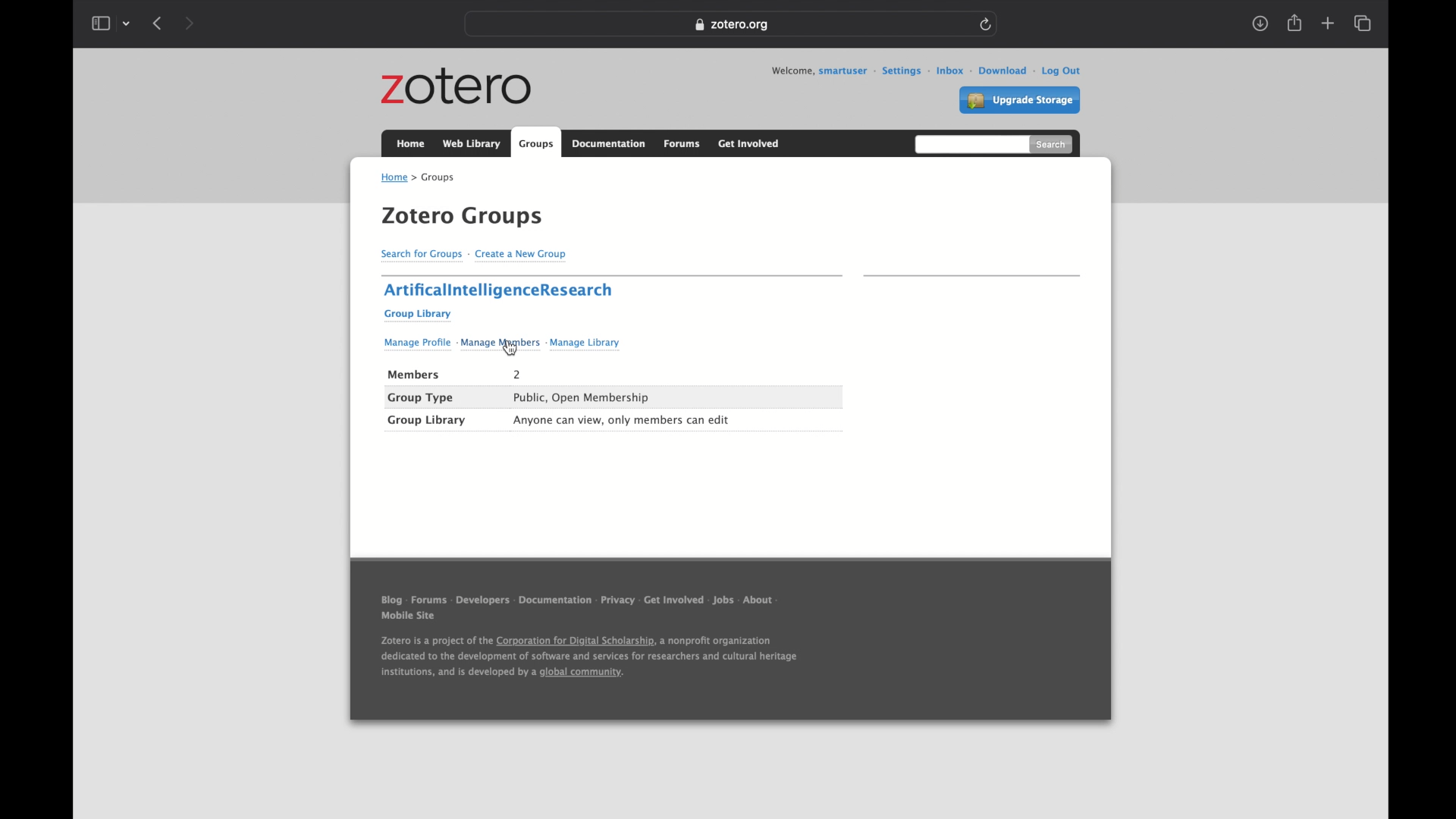  Describe the element at coordinates (1057, 71) in the screenshot. I see `log out` at that location.